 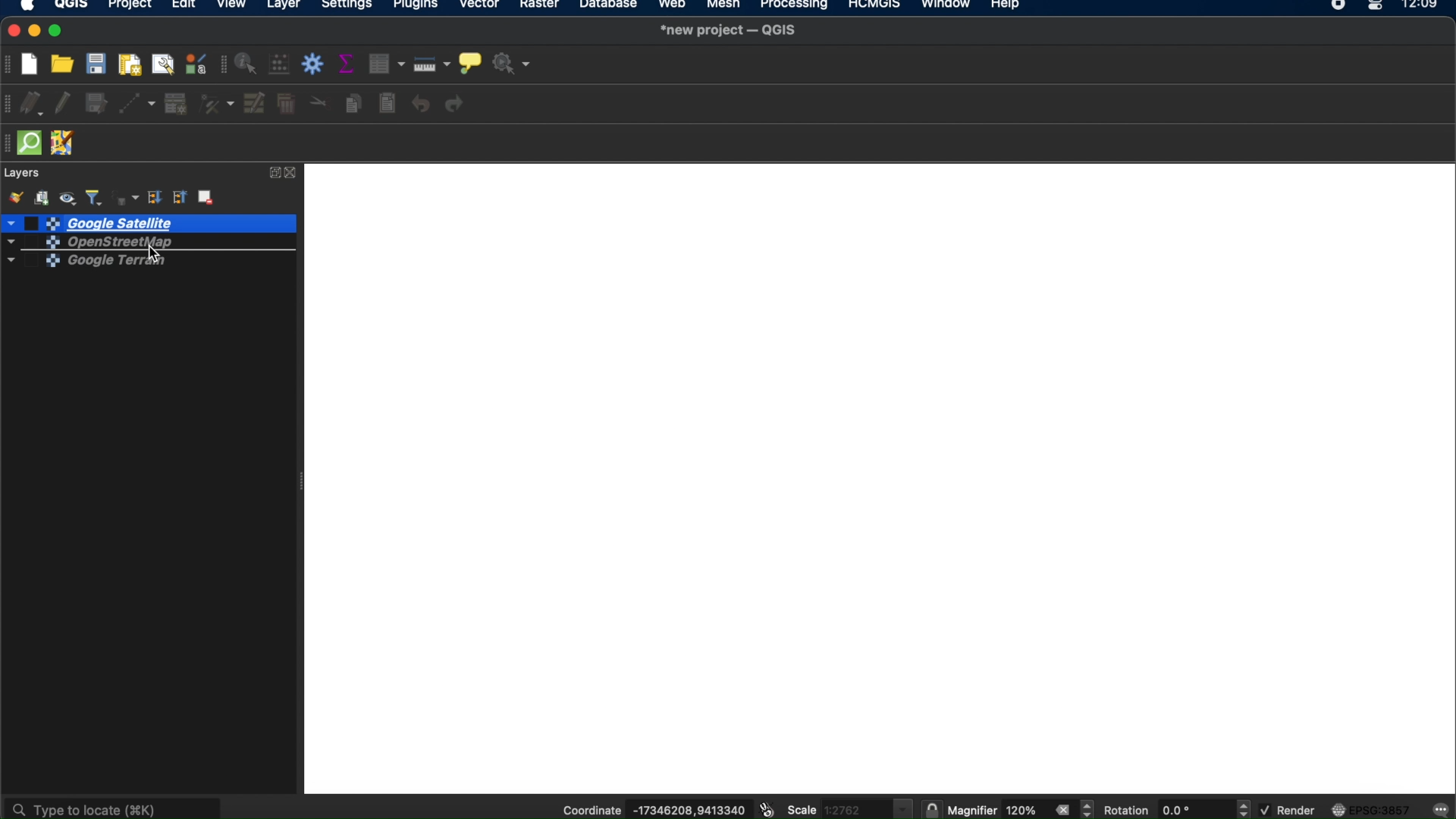 What do you see at coordinates (129, 6) in the screenshot?
I see `project` at bounding box center [129, 6].